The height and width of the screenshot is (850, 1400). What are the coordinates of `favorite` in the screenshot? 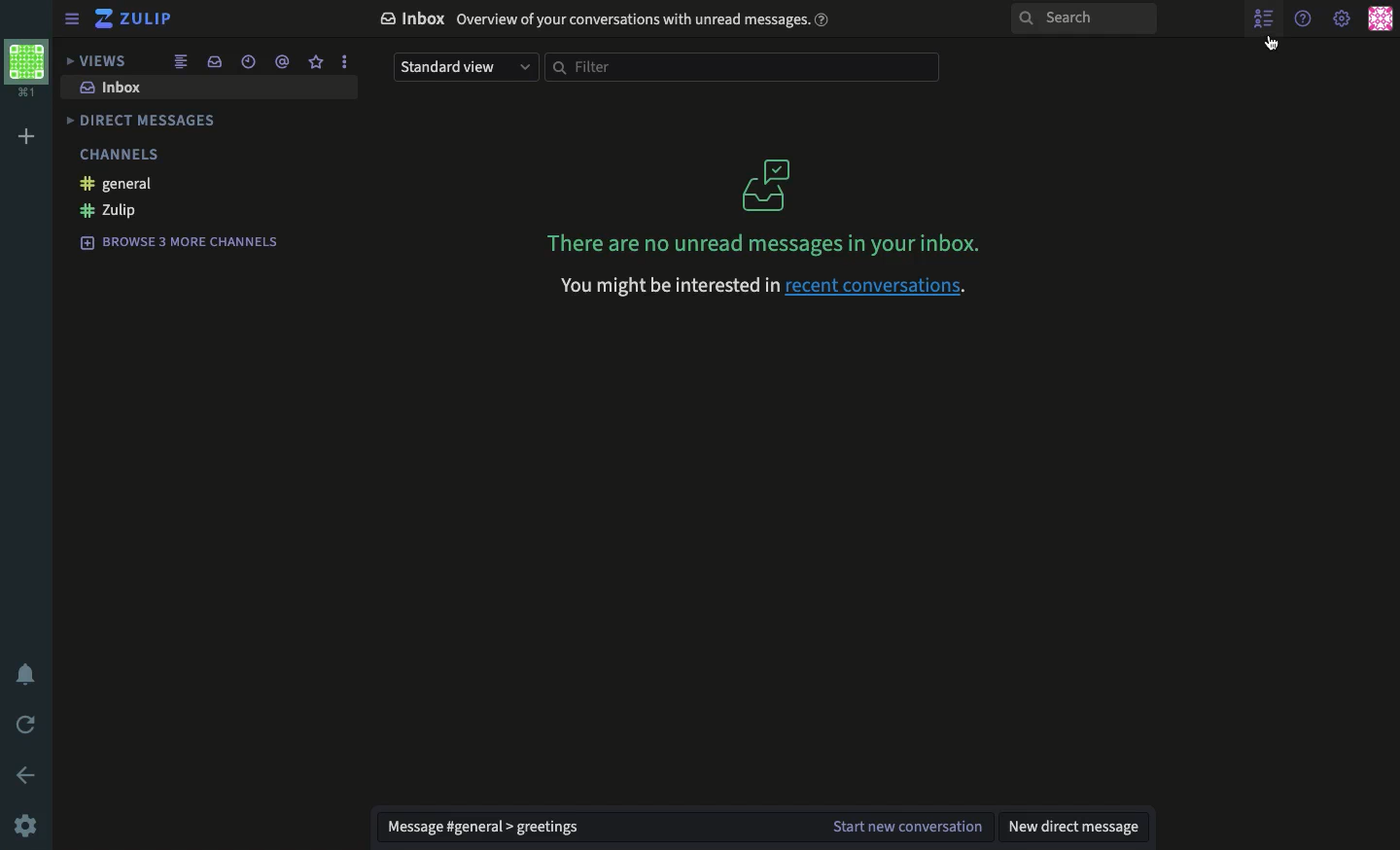 It's located at (315, 60).